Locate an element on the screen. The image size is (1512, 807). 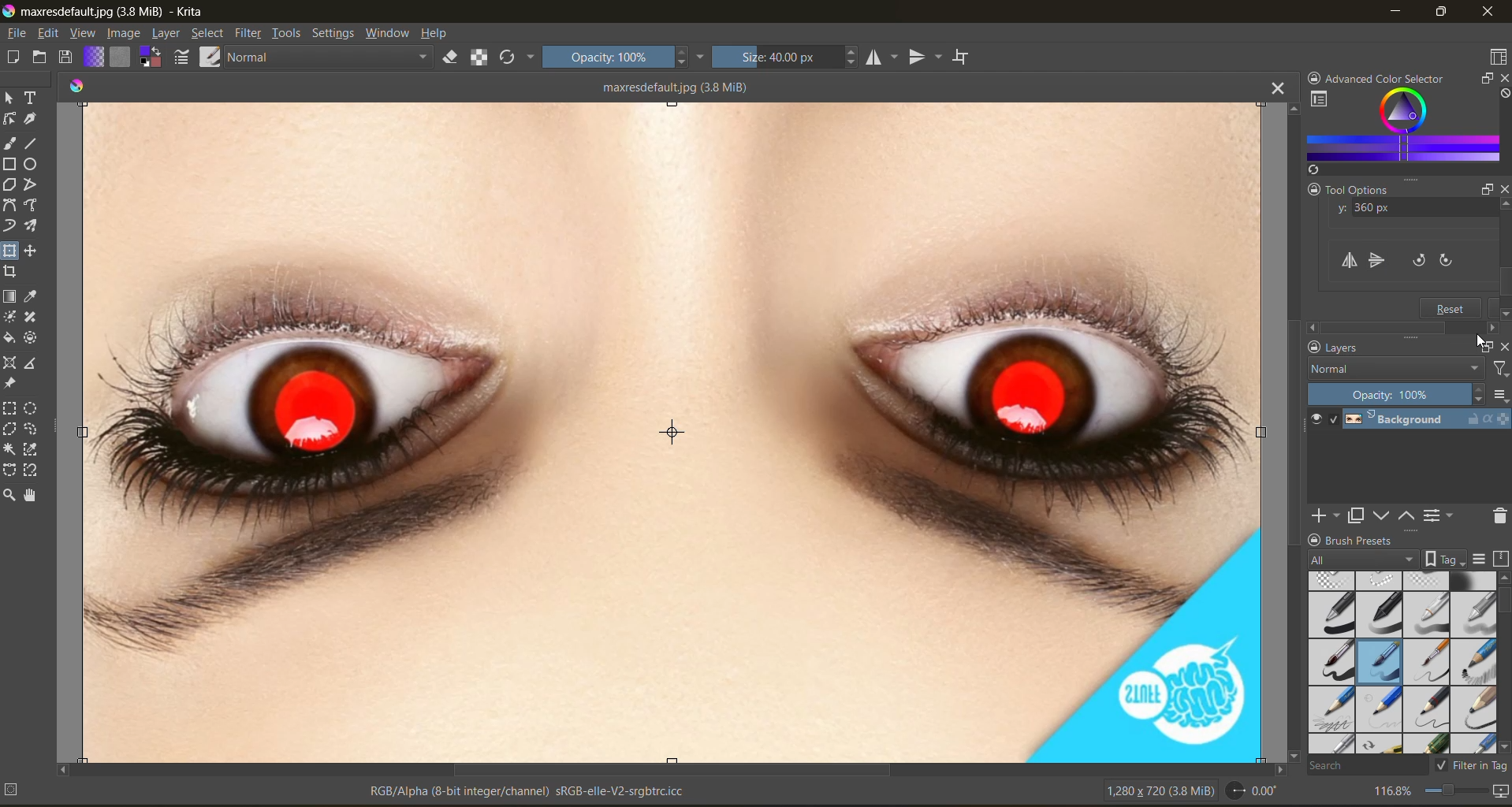
settings is located at coordinates (335, 33).